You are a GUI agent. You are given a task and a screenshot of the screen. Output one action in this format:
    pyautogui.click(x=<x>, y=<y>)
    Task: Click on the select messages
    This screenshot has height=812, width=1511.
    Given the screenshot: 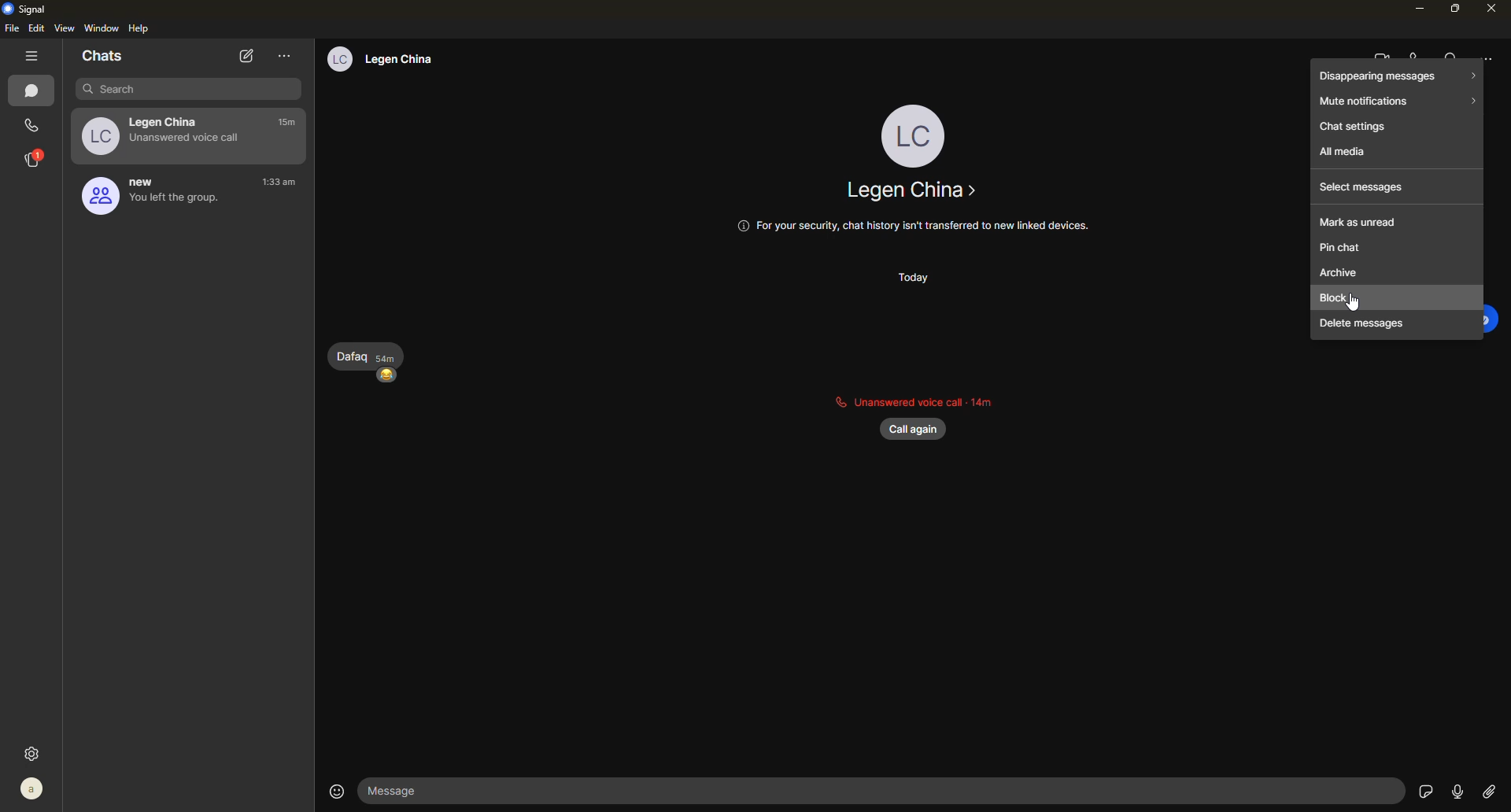 What is the action you would take?
    pyautogui.click(x=1358, y=186)
    